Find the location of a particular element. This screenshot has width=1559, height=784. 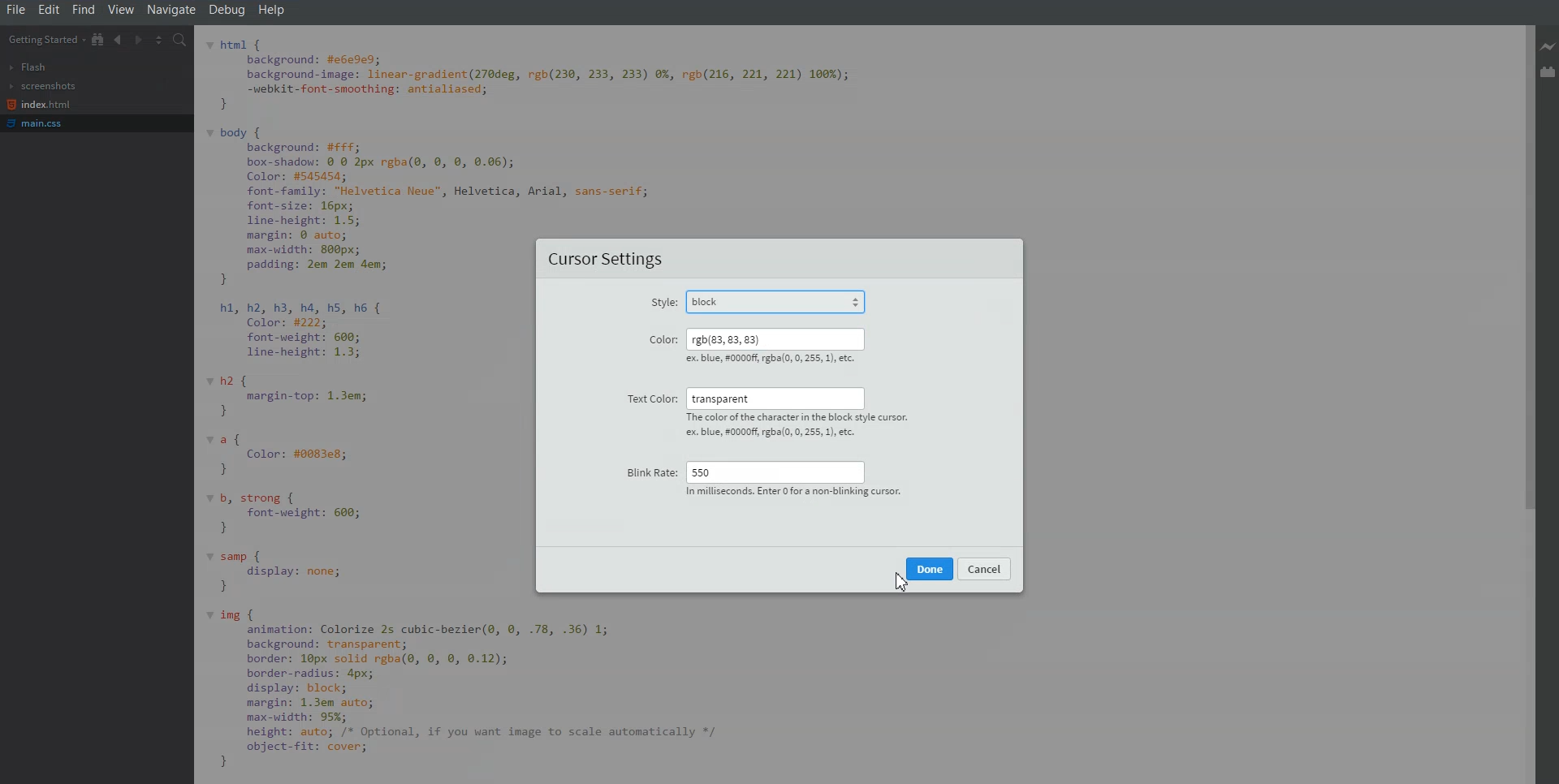

Extension Manager is located at coordinates (1549, 71).